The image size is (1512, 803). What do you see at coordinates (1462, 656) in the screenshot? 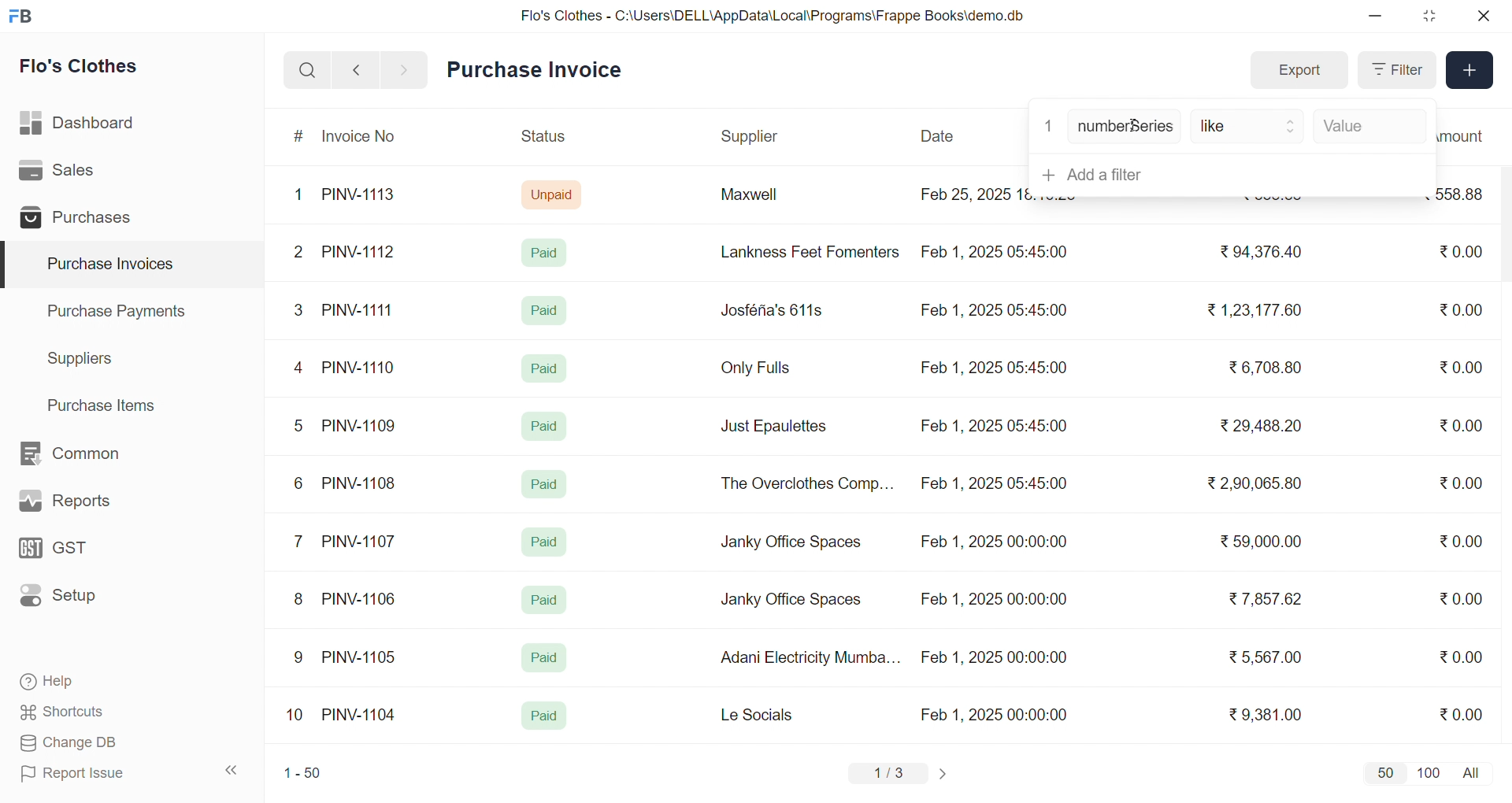
I see `₹0.00` at bounding box center [1462, 656].